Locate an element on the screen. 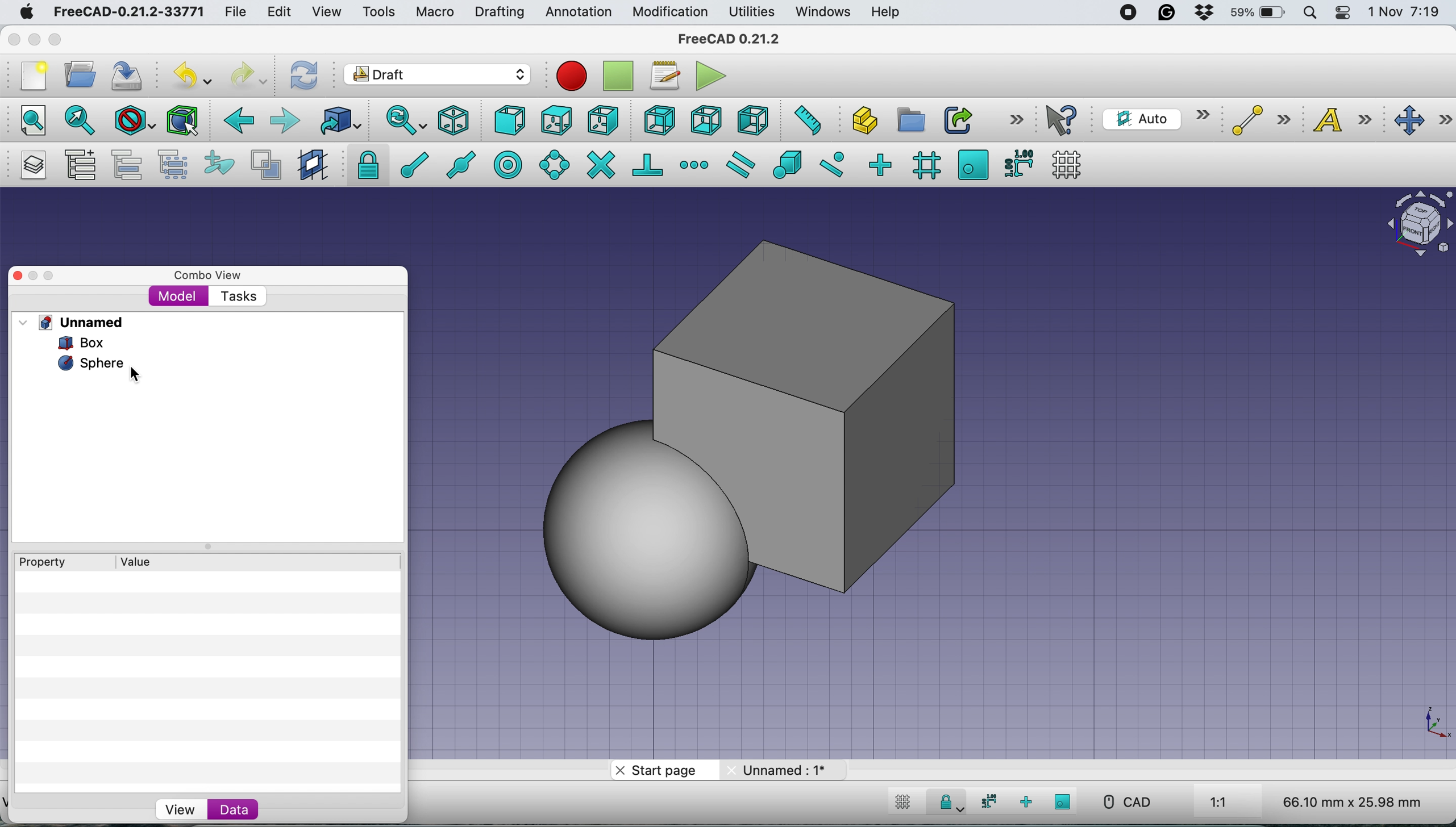  view is located at coordinates (180, 810).